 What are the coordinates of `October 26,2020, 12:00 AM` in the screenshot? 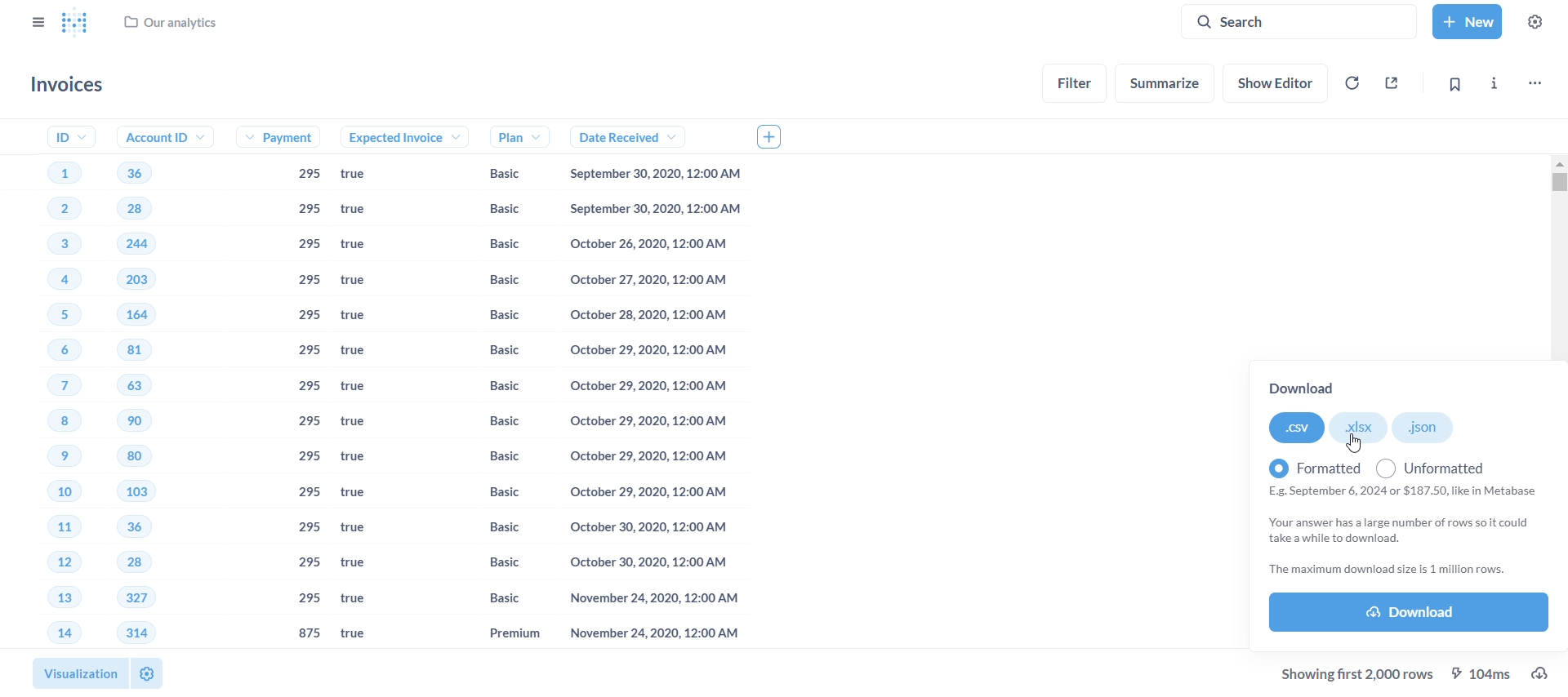 It's located at (657, 245).